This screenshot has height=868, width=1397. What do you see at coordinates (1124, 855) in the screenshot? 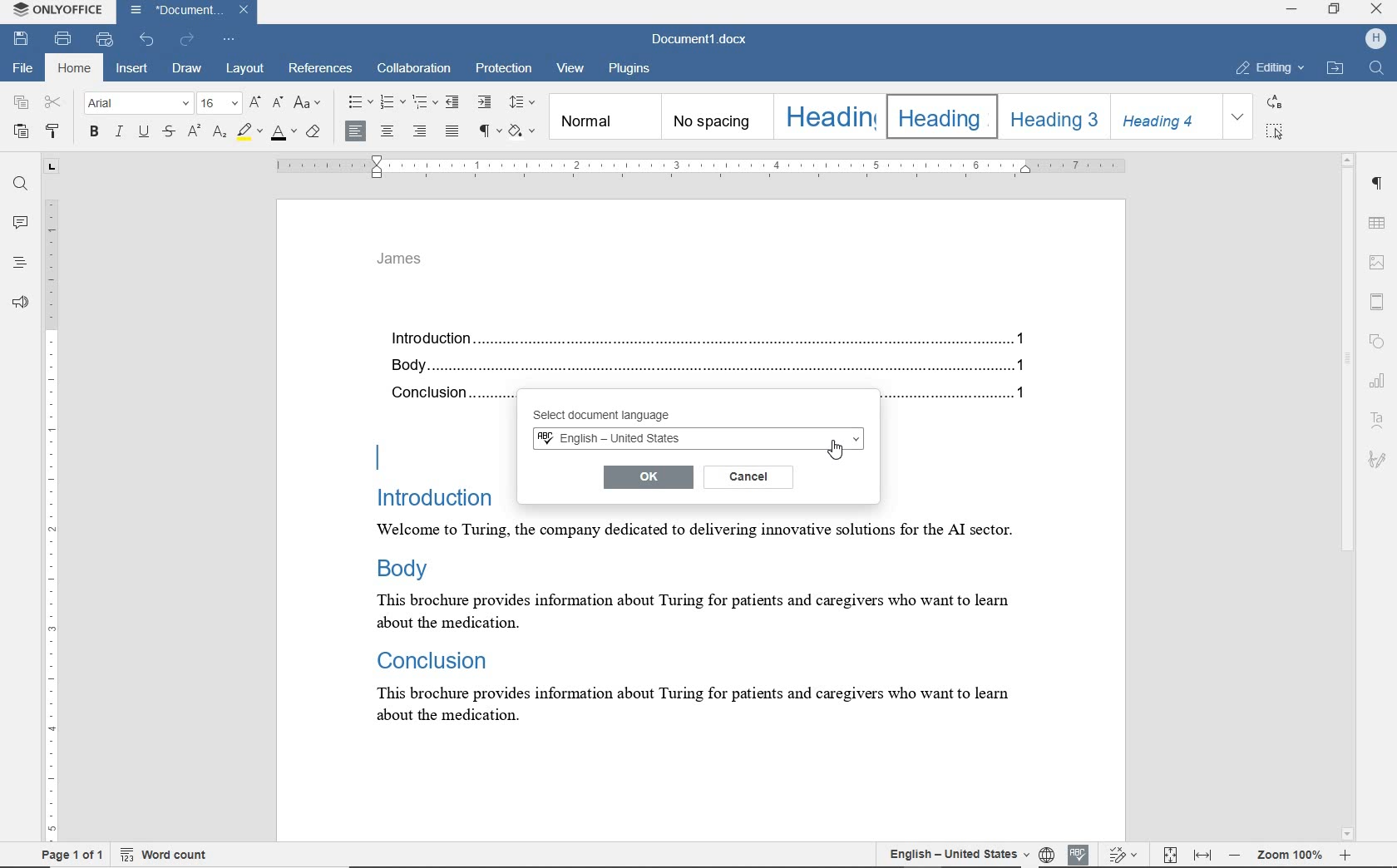
I see `track changes` at bounding box center [1124, 855].